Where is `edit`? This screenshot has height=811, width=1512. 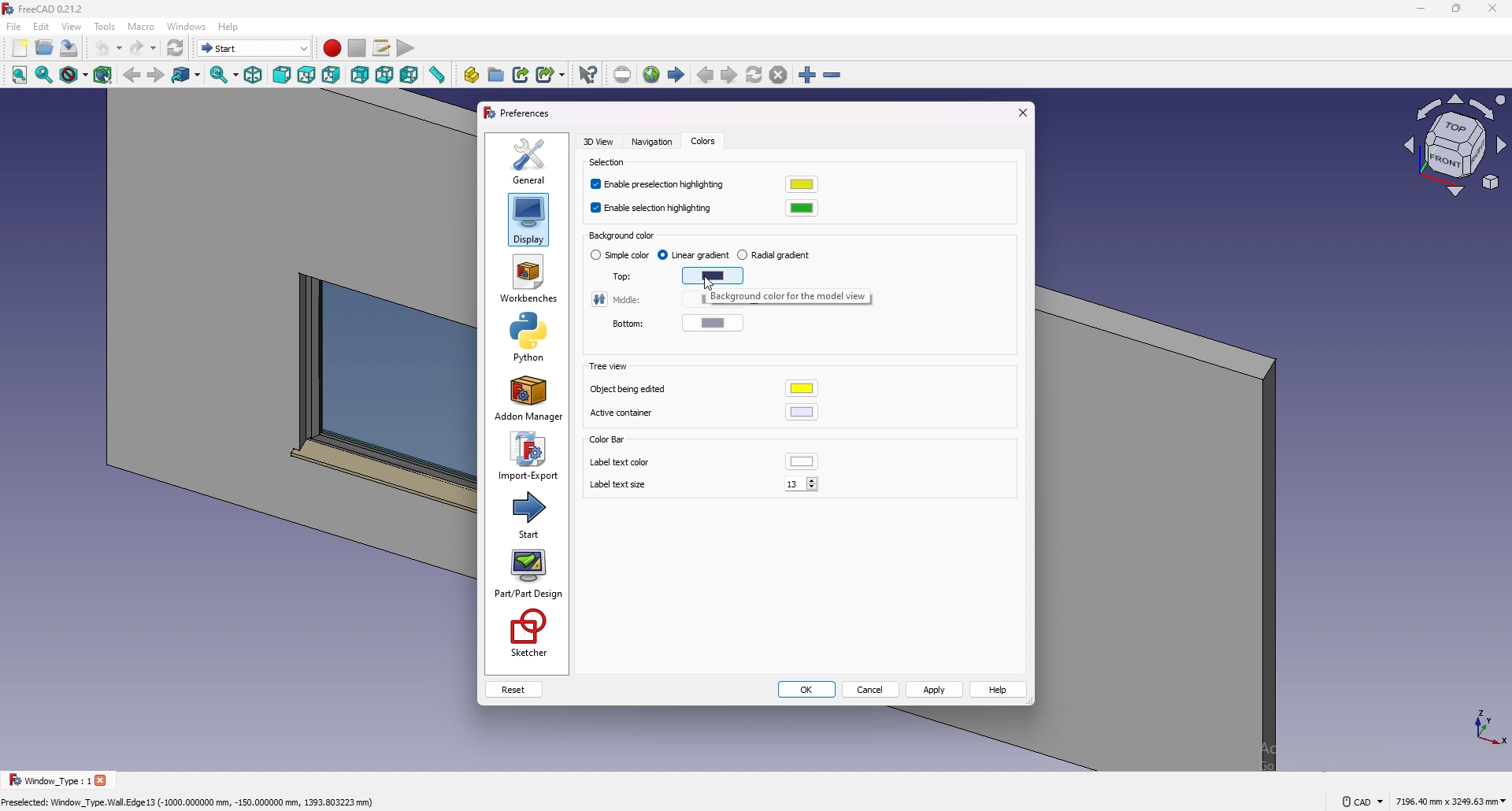
edit is located at coordinates (42, 26).